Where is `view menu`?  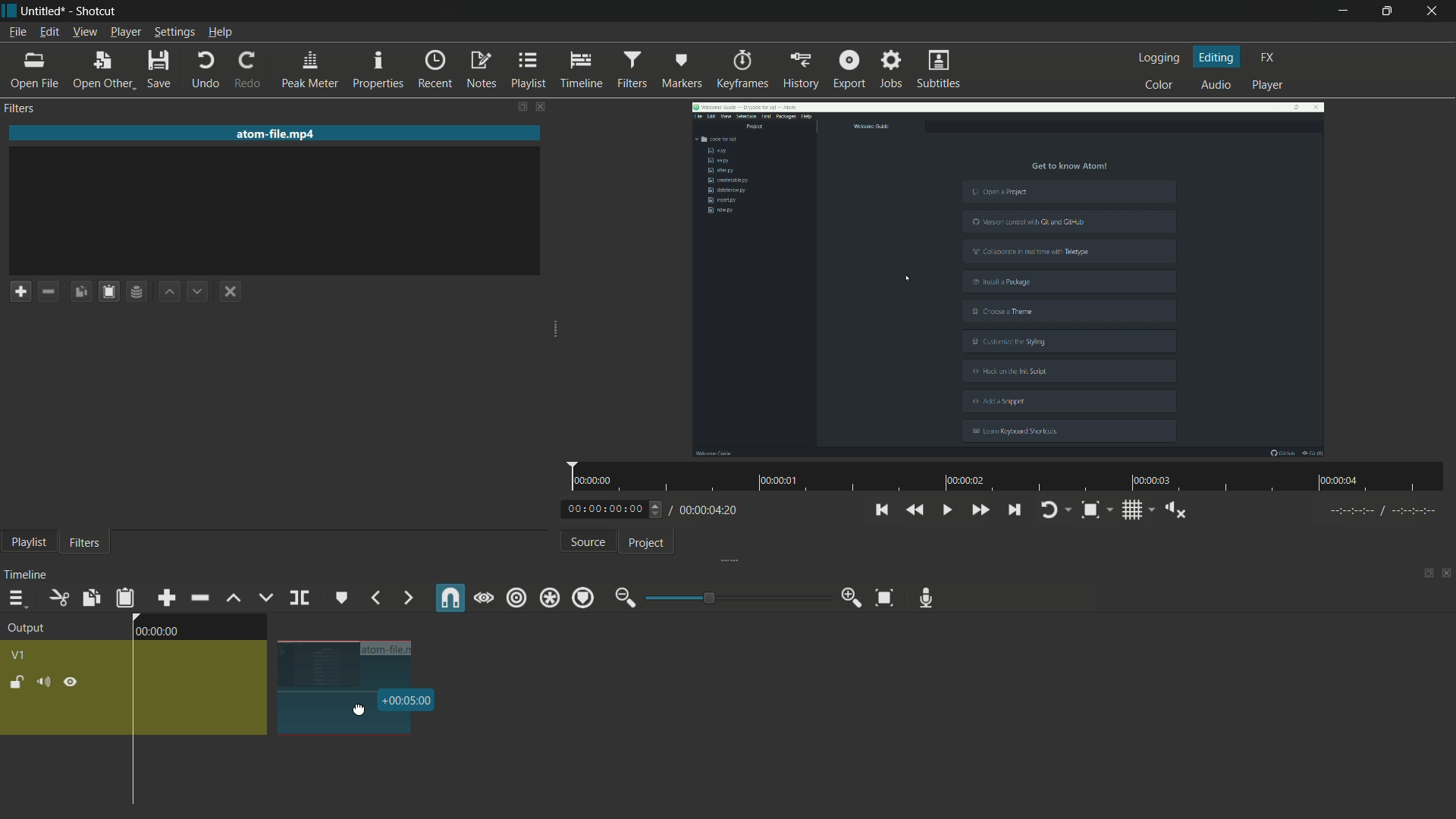
view menu is located at coordinates (84, 32).